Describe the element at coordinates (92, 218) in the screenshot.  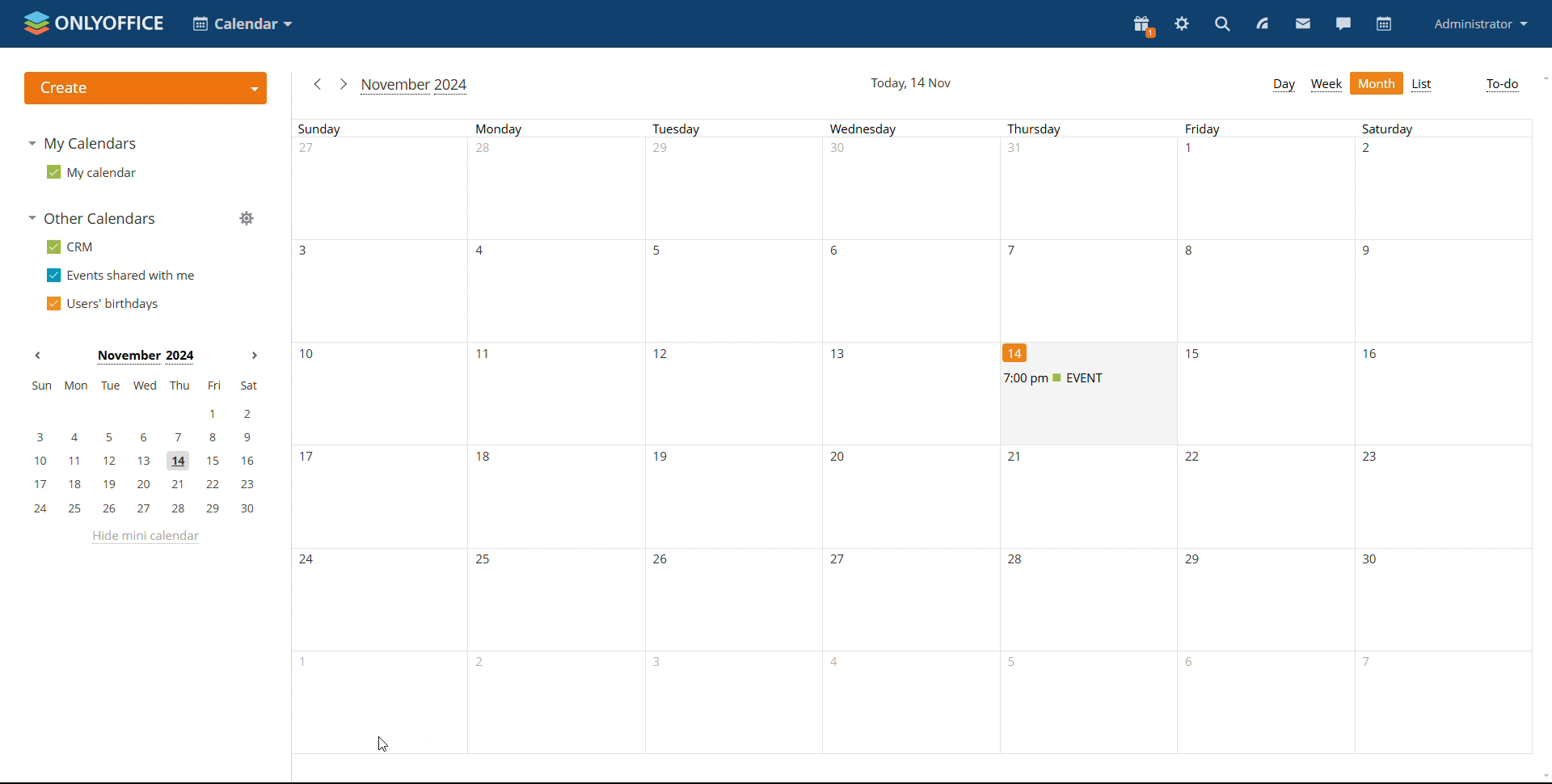
I see `other calendars` at that location.